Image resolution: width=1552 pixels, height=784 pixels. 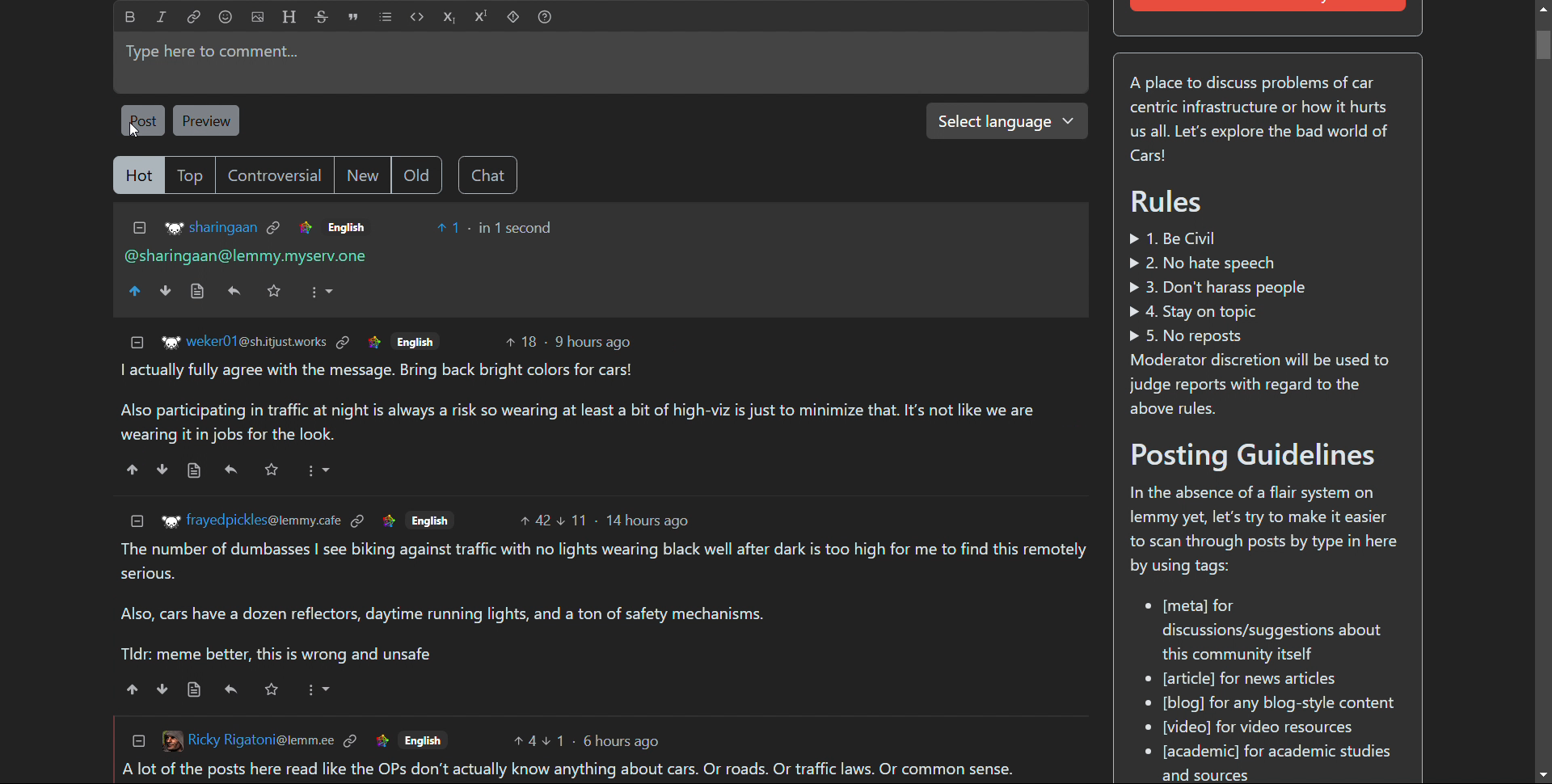 What do you see at coordinates (130, 17) in the screenshot?
I see `bold` at bounding box center [130, 17].